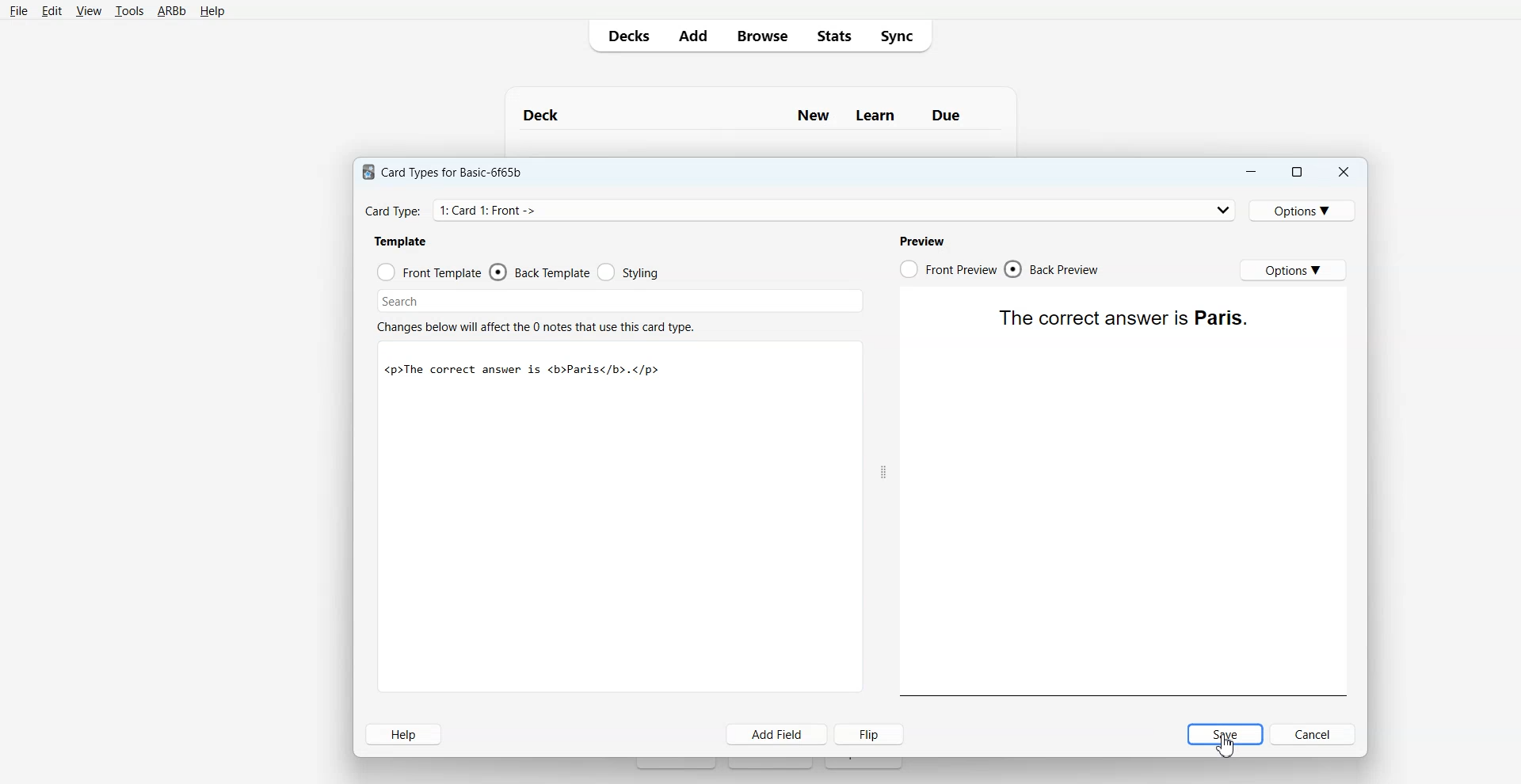  What do you see at coordinates (760, 108) in the screenshot?
I see `Text` at bounding box center [760, 108].